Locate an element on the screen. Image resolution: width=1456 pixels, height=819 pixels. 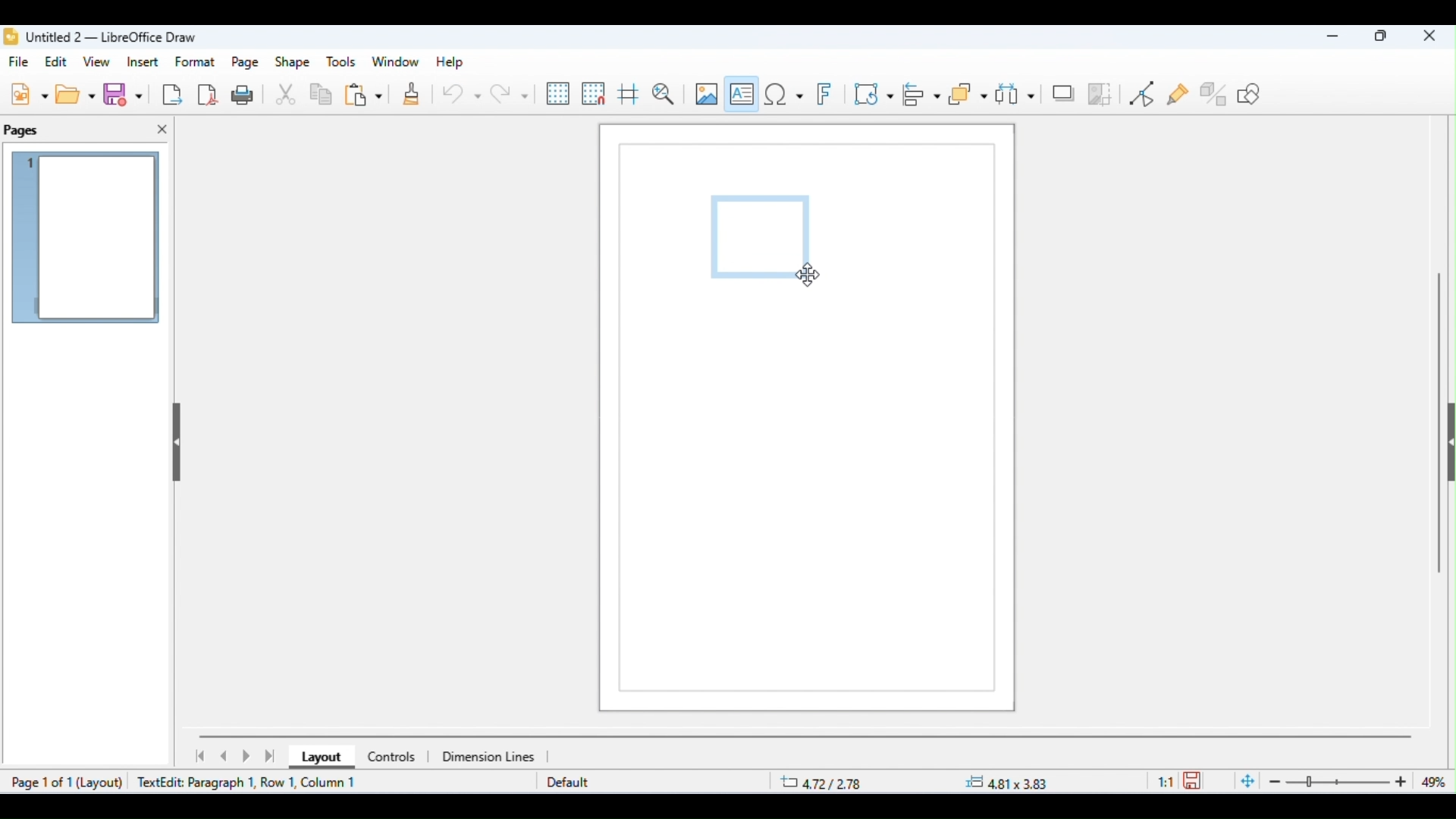
edit is located at coordinates (58, 61).